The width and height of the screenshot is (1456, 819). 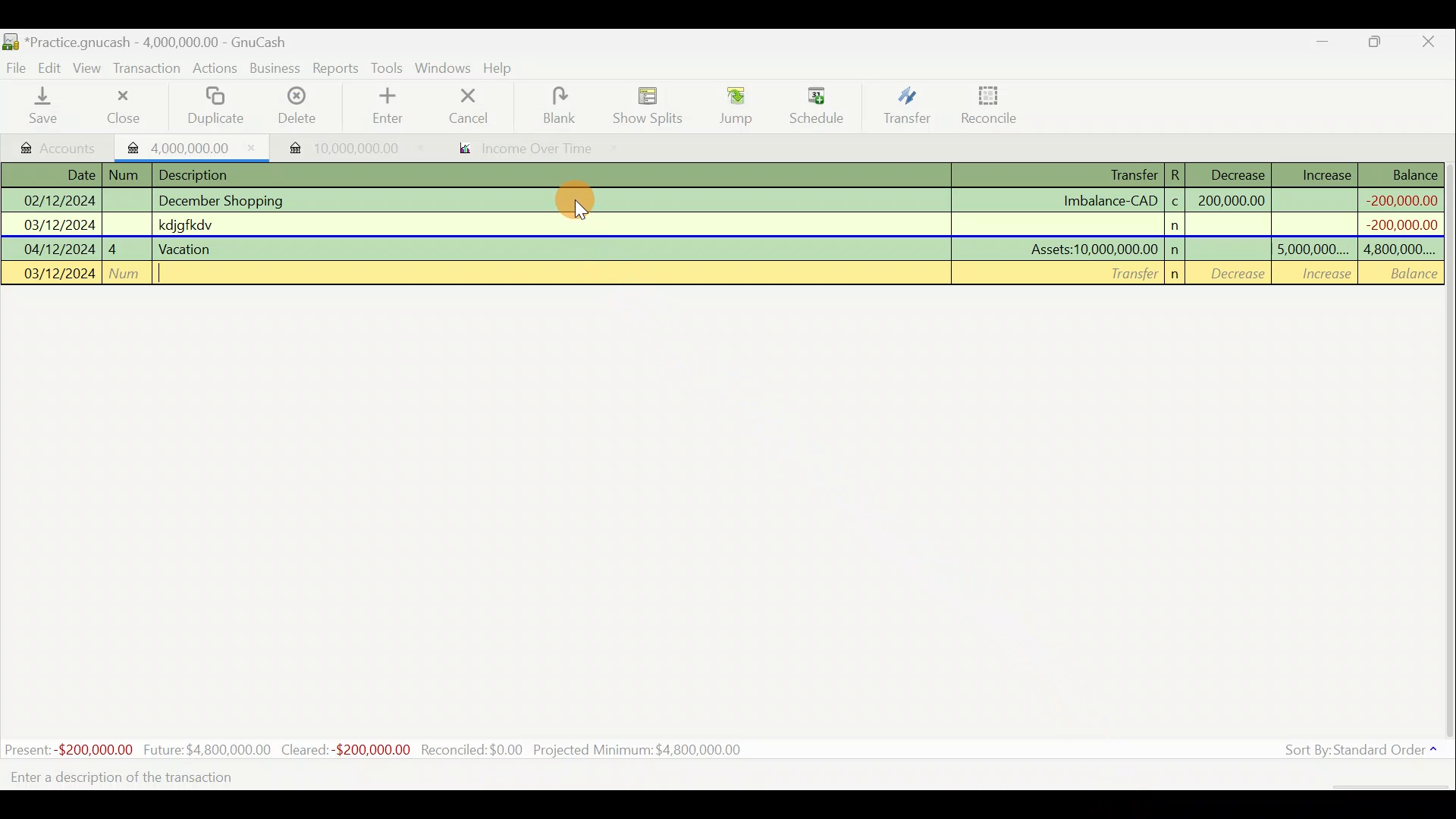 I want to click on Cancel, so click(x=469, y=105).